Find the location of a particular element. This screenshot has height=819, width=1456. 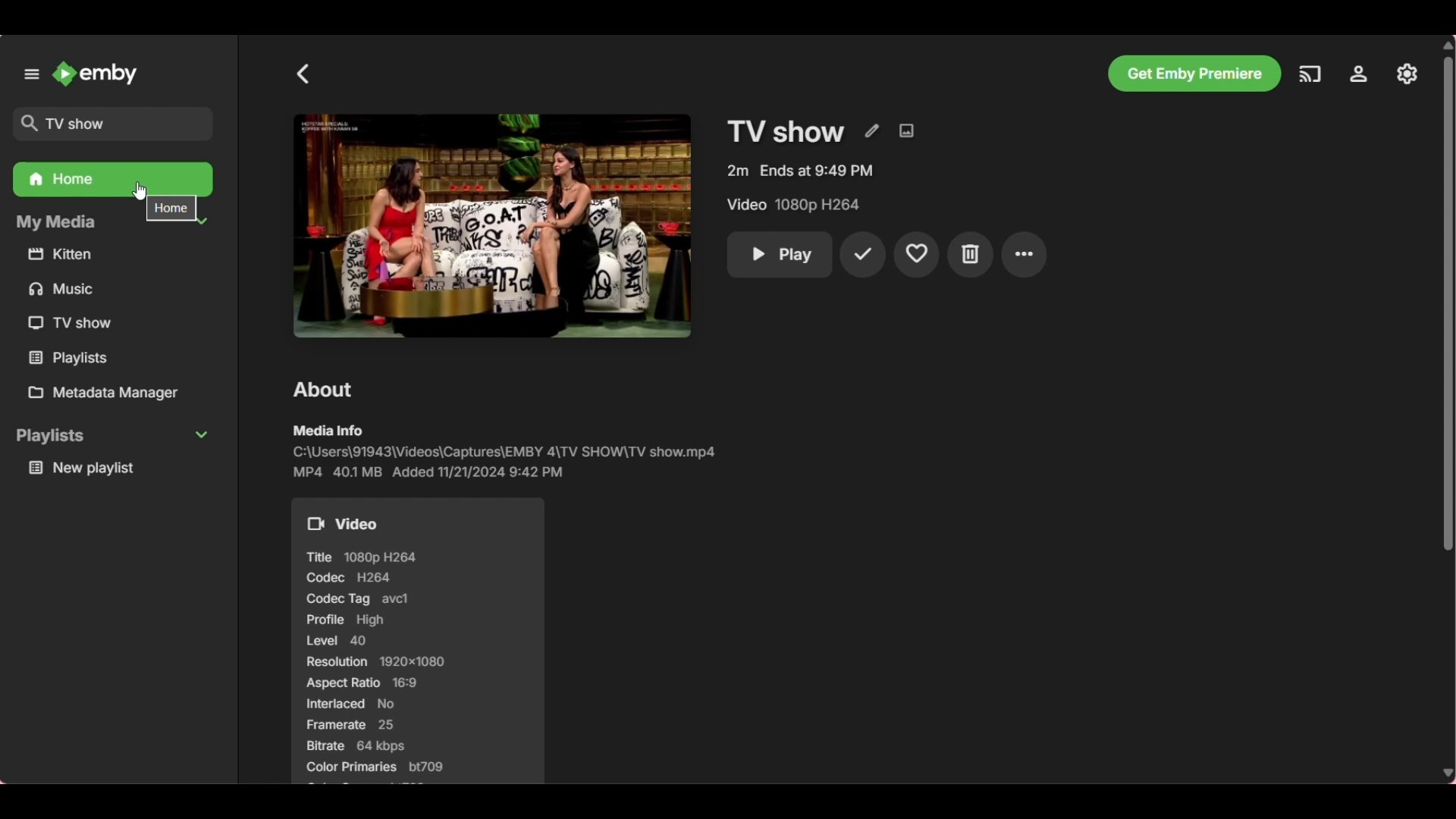

Vertical slide bar is located at coordinates (1449, 410).